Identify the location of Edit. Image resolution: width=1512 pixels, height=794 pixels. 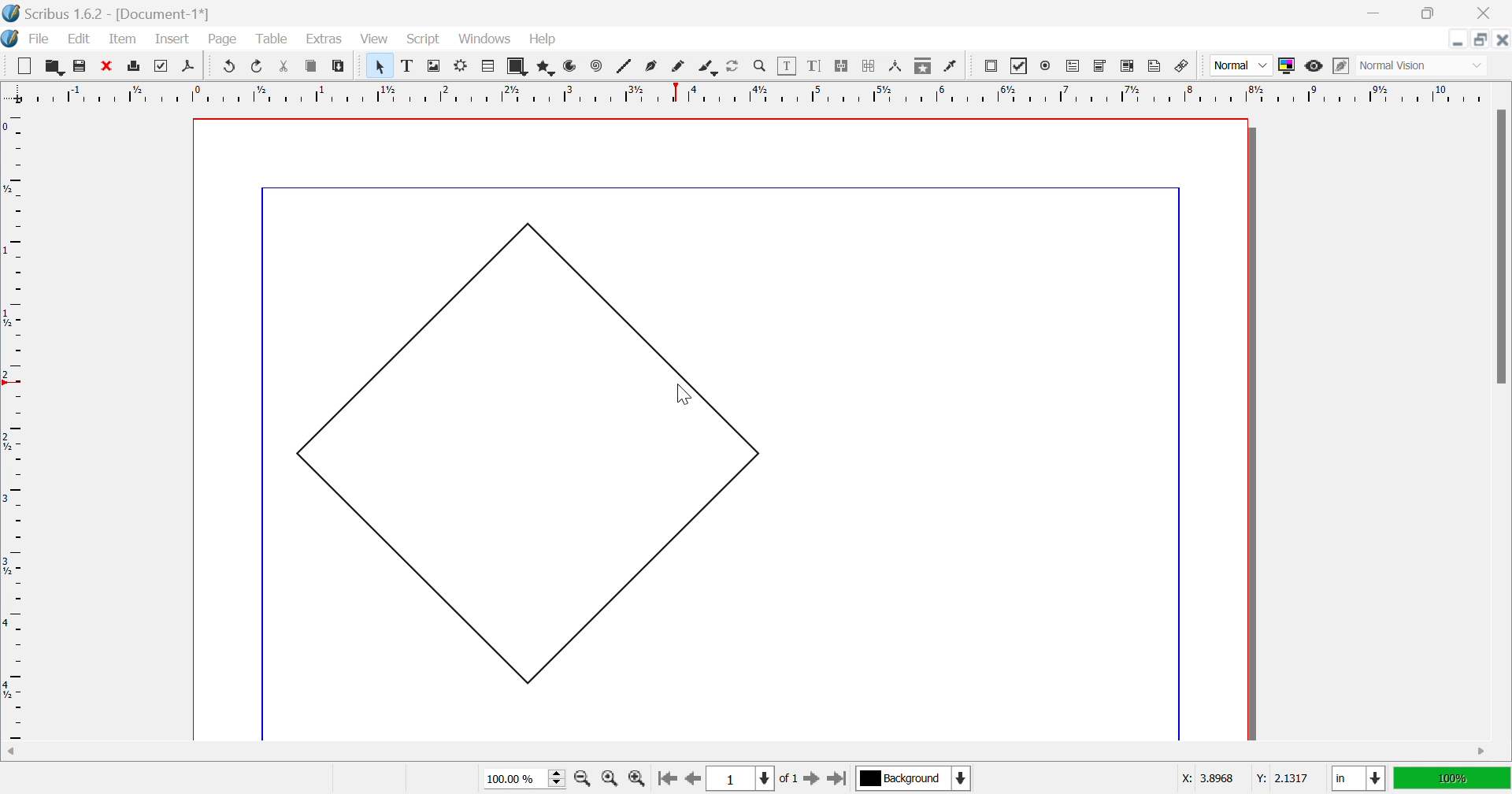
(83, 40).